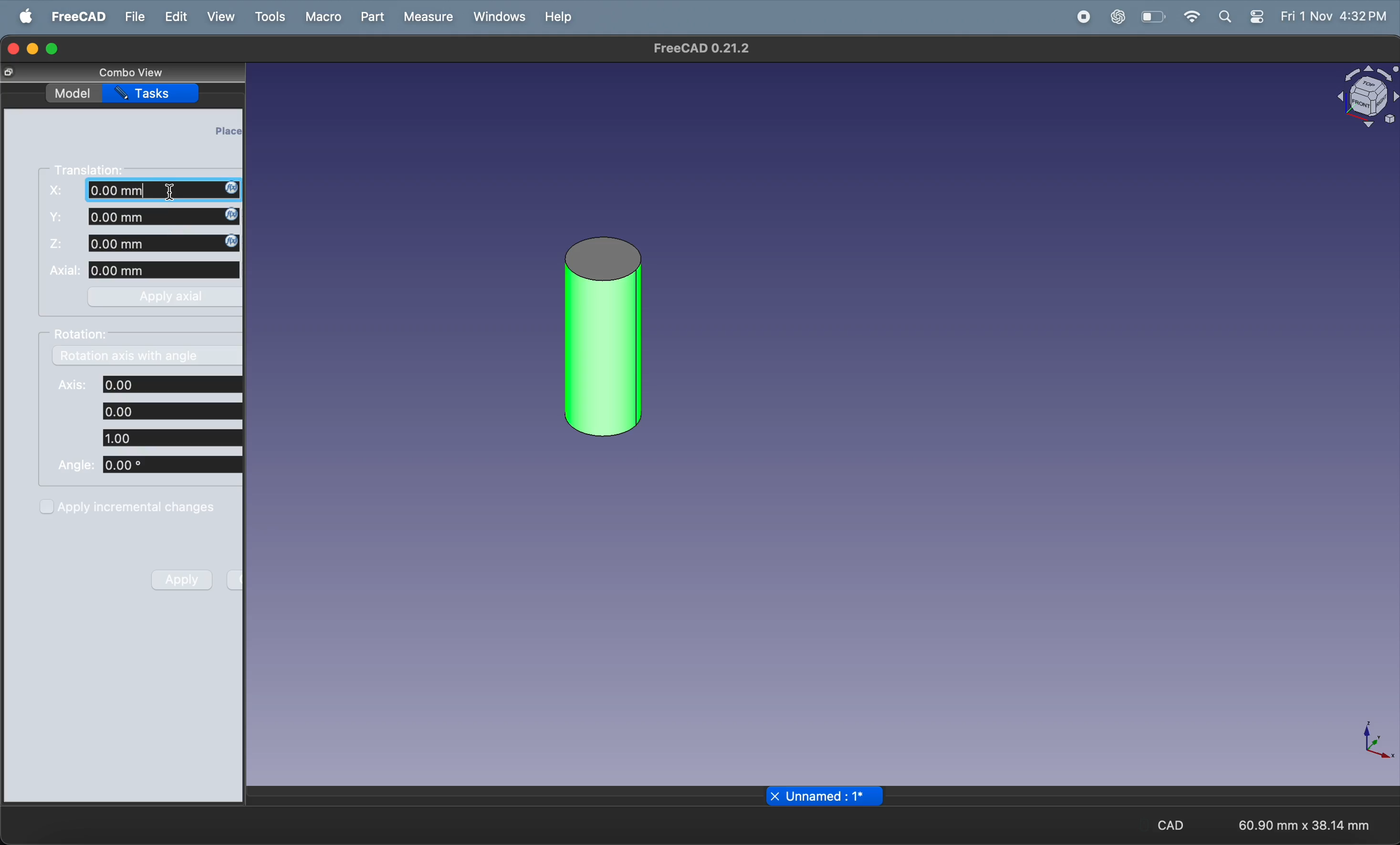 Image resolution: width=1400 pixels, height=845 pixels. What do you see at coordinates (153, 93) in the screenshot?
I see `tasks` at bounding box center [153, 93].